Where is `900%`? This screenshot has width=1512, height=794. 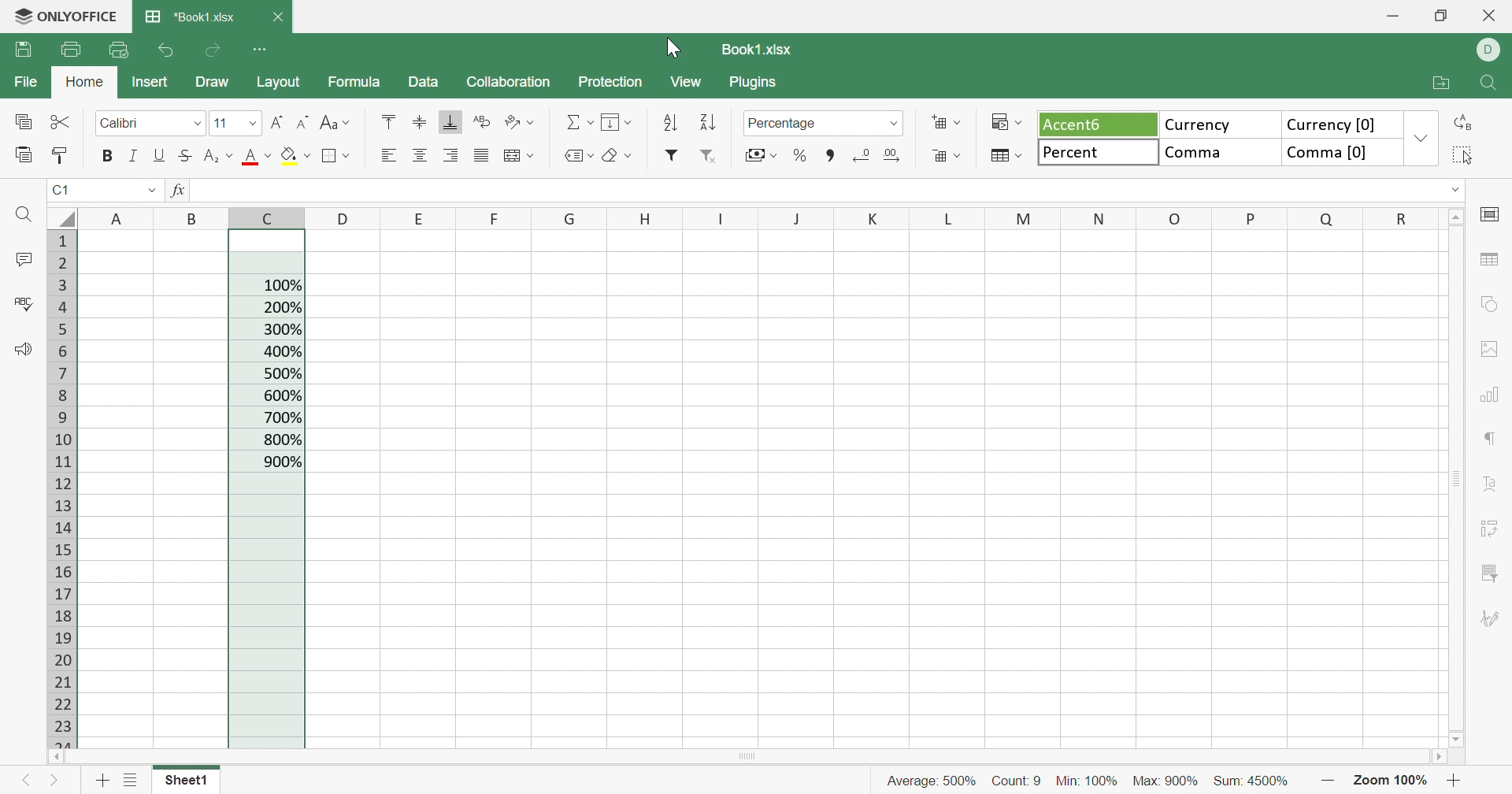 900% is located at coordinates (282, 463).